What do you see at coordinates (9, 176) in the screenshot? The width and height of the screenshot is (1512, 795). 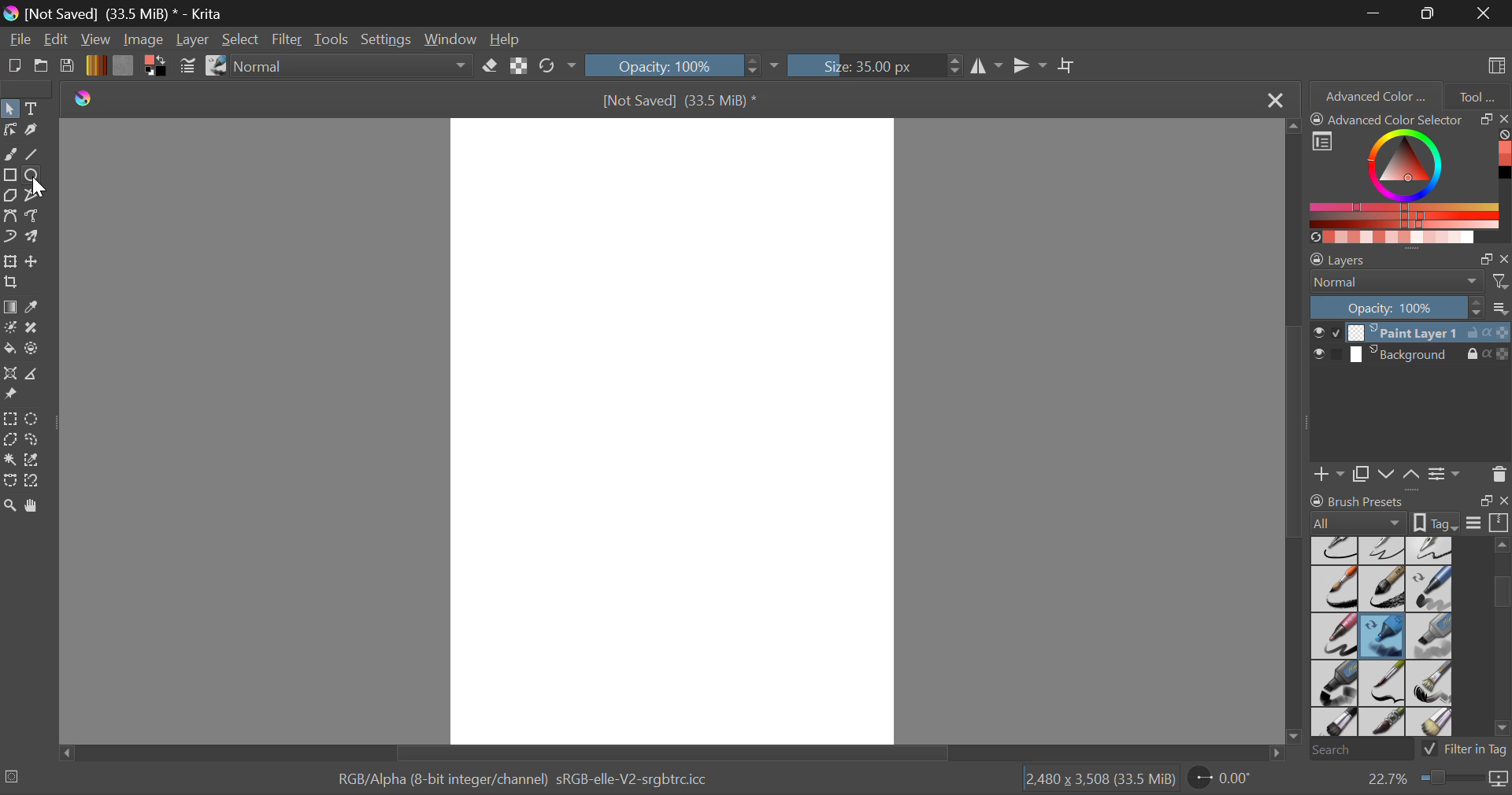 I see `Rectangle` at bounding box center [9, 176].